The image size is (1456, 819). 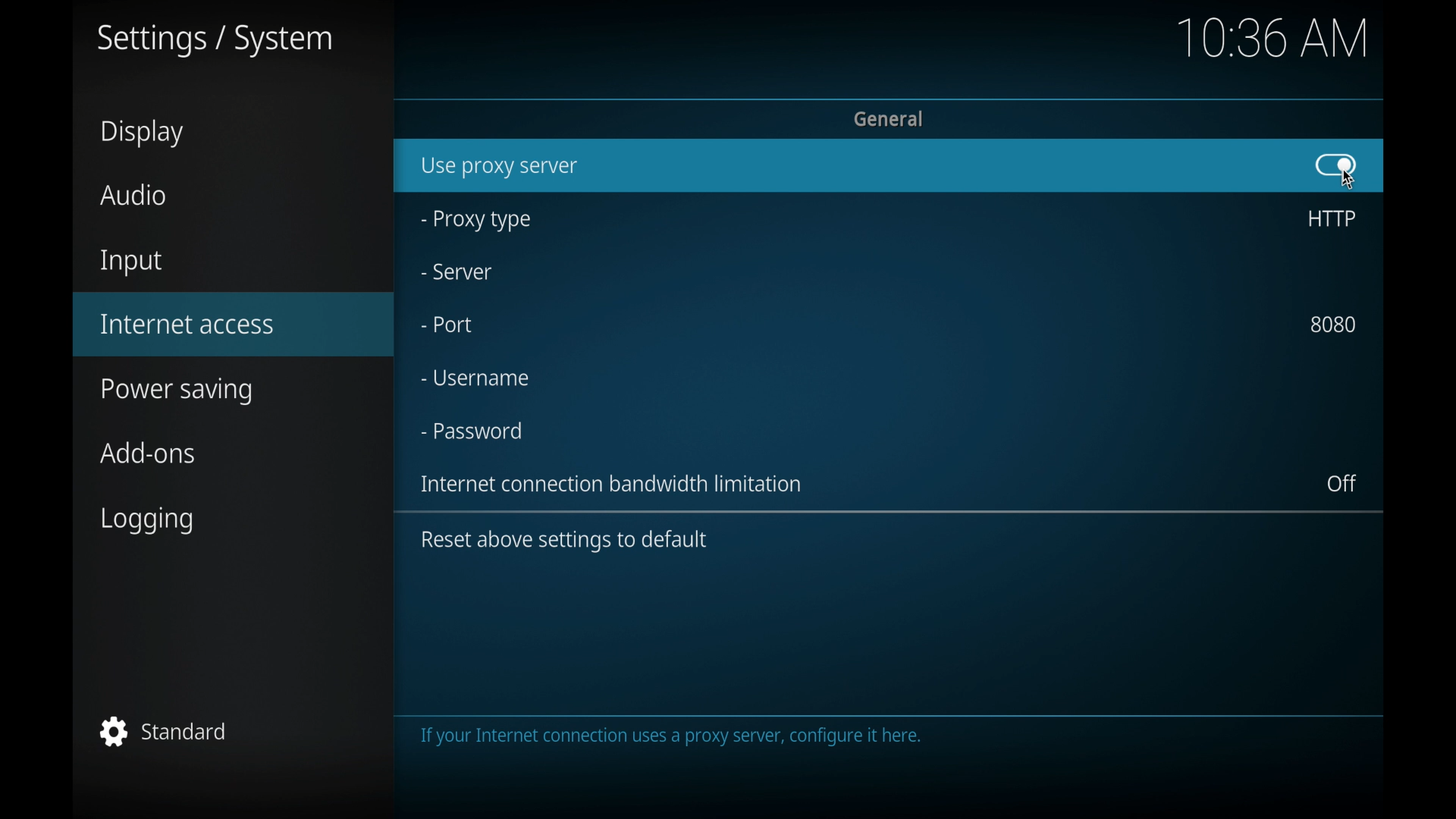 What do you see at coordinates (564, 541) in the screenshot?
I see `reset above settings to default` at bounding box center [564, 541].